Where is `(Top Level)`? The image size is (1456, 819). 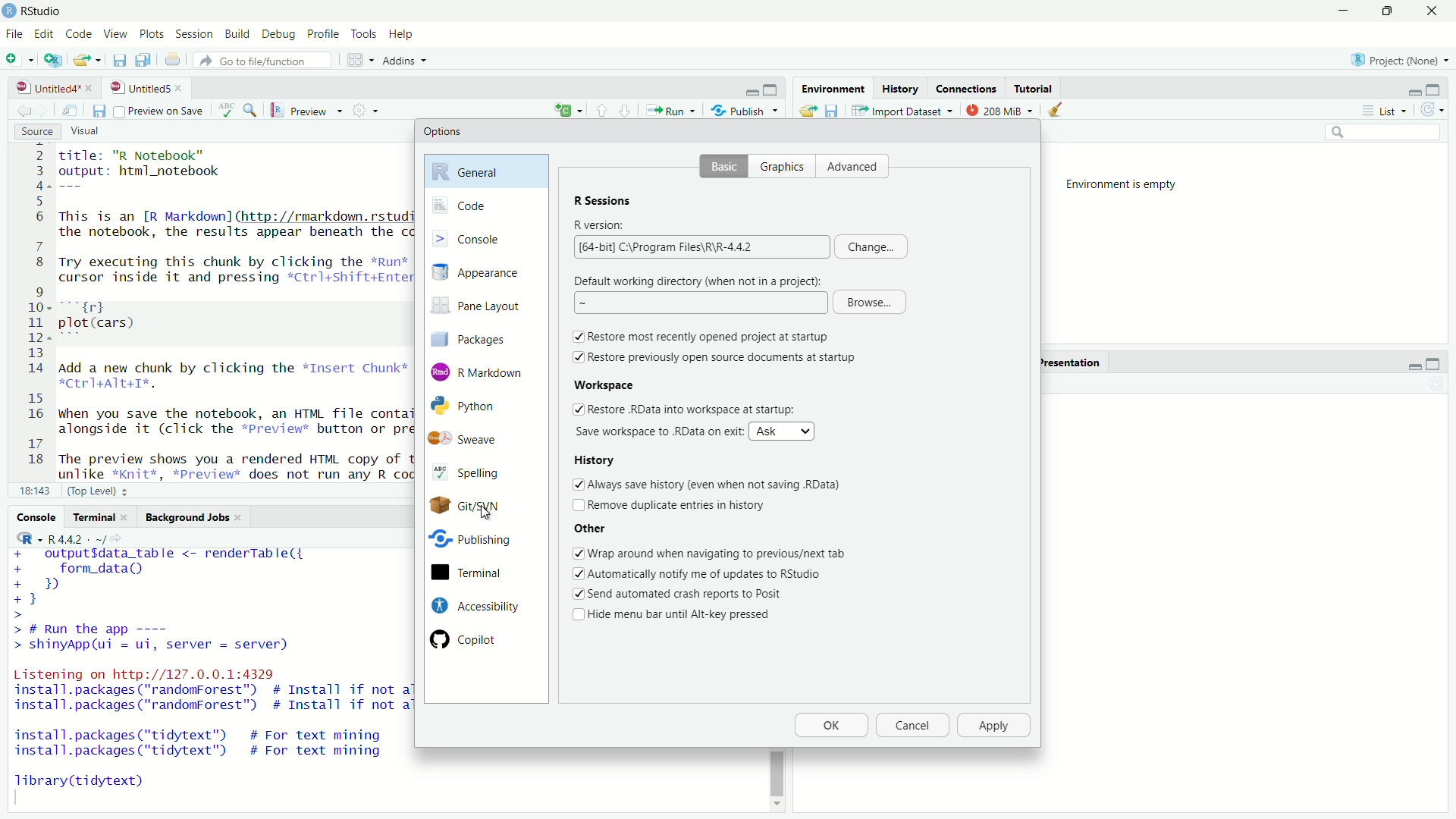
(Top Level) is located at coordinates (100, 490).